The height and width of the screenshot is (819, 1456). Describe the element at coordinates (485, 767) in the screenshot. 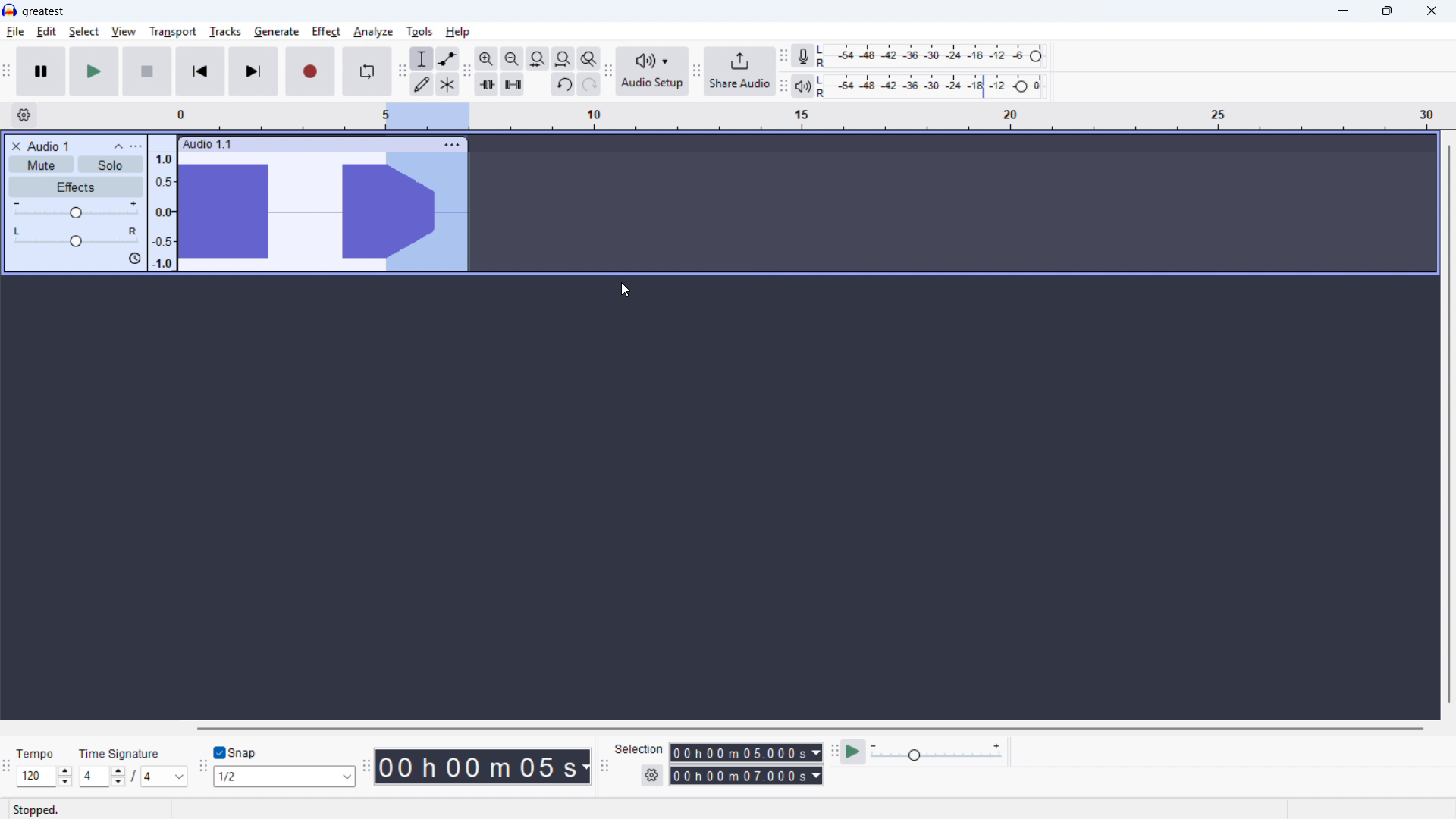

I see `Timestamp ` at that location.